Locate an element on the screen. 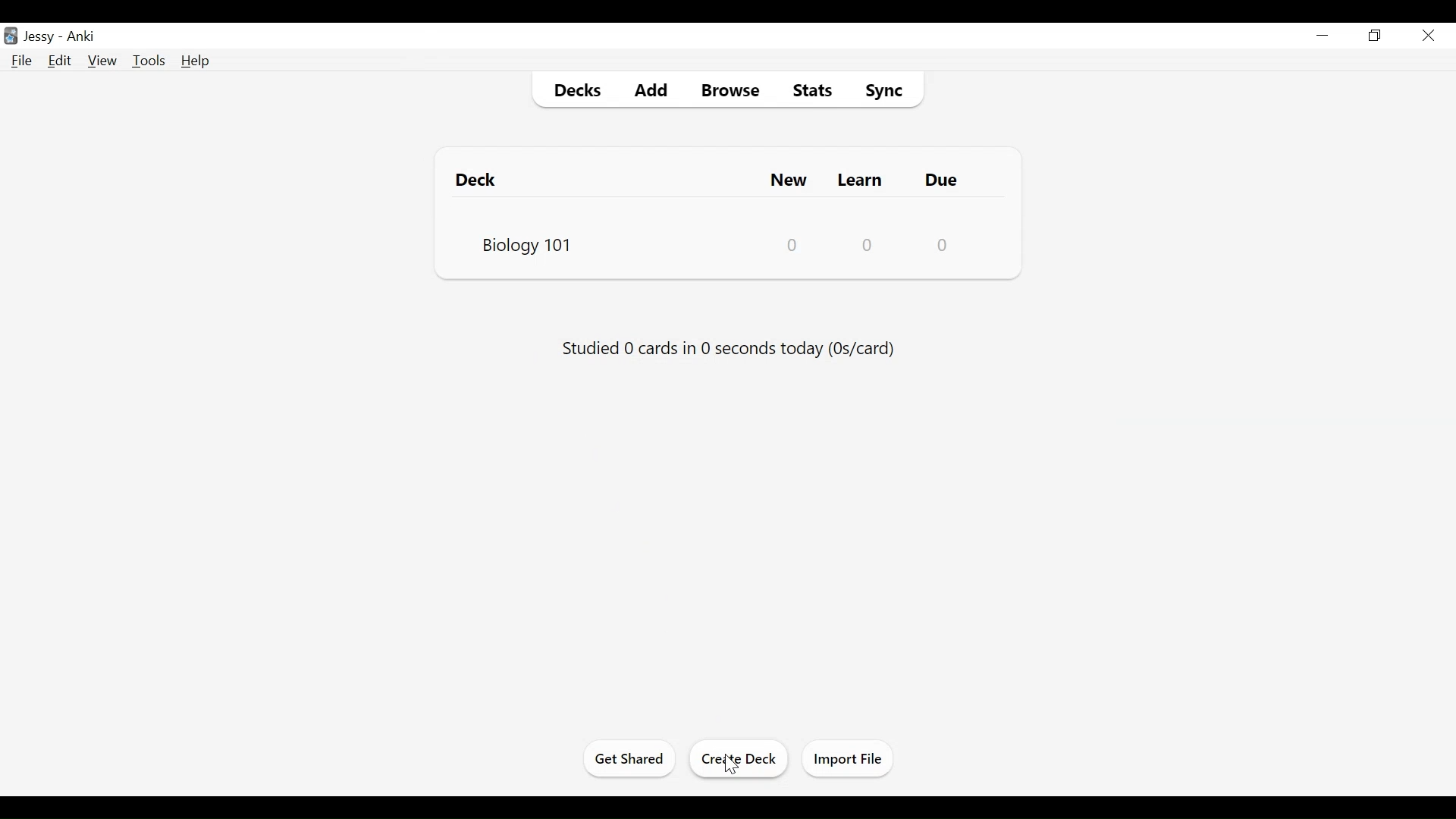  View is located at coordinates (102, 61).